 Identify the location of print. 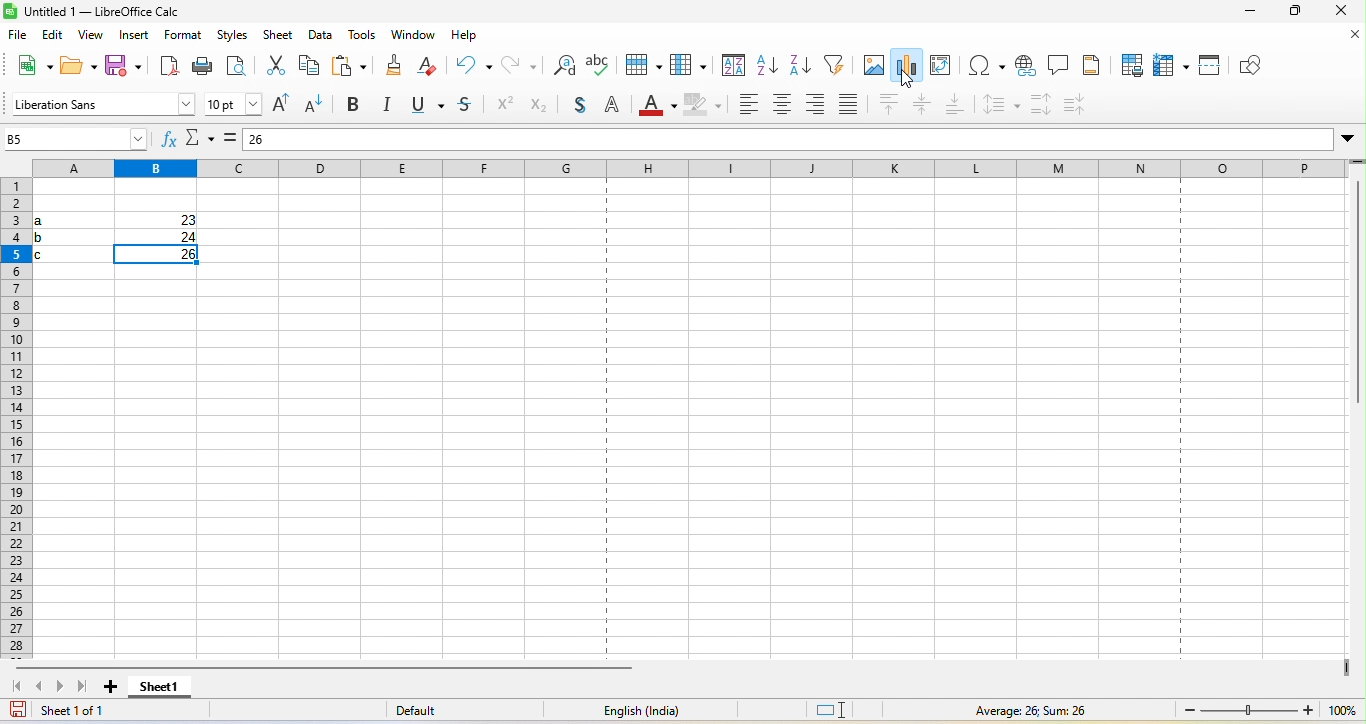
(205, 67).